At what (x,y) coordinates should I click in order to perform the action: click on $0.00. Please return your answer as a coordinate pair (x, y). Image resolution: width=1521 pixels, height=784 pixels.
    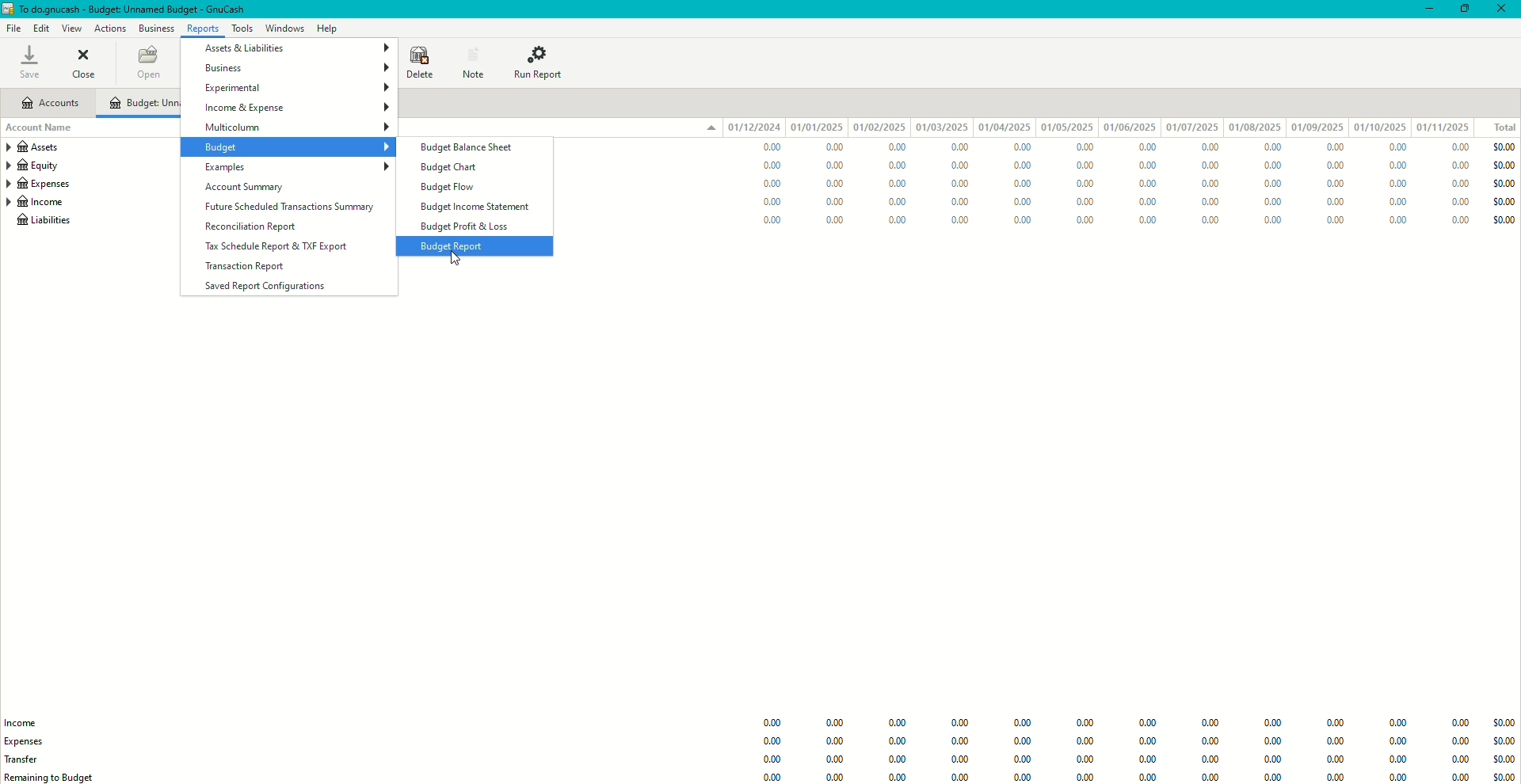
    Looking at the image, I should click on (1501, 201).